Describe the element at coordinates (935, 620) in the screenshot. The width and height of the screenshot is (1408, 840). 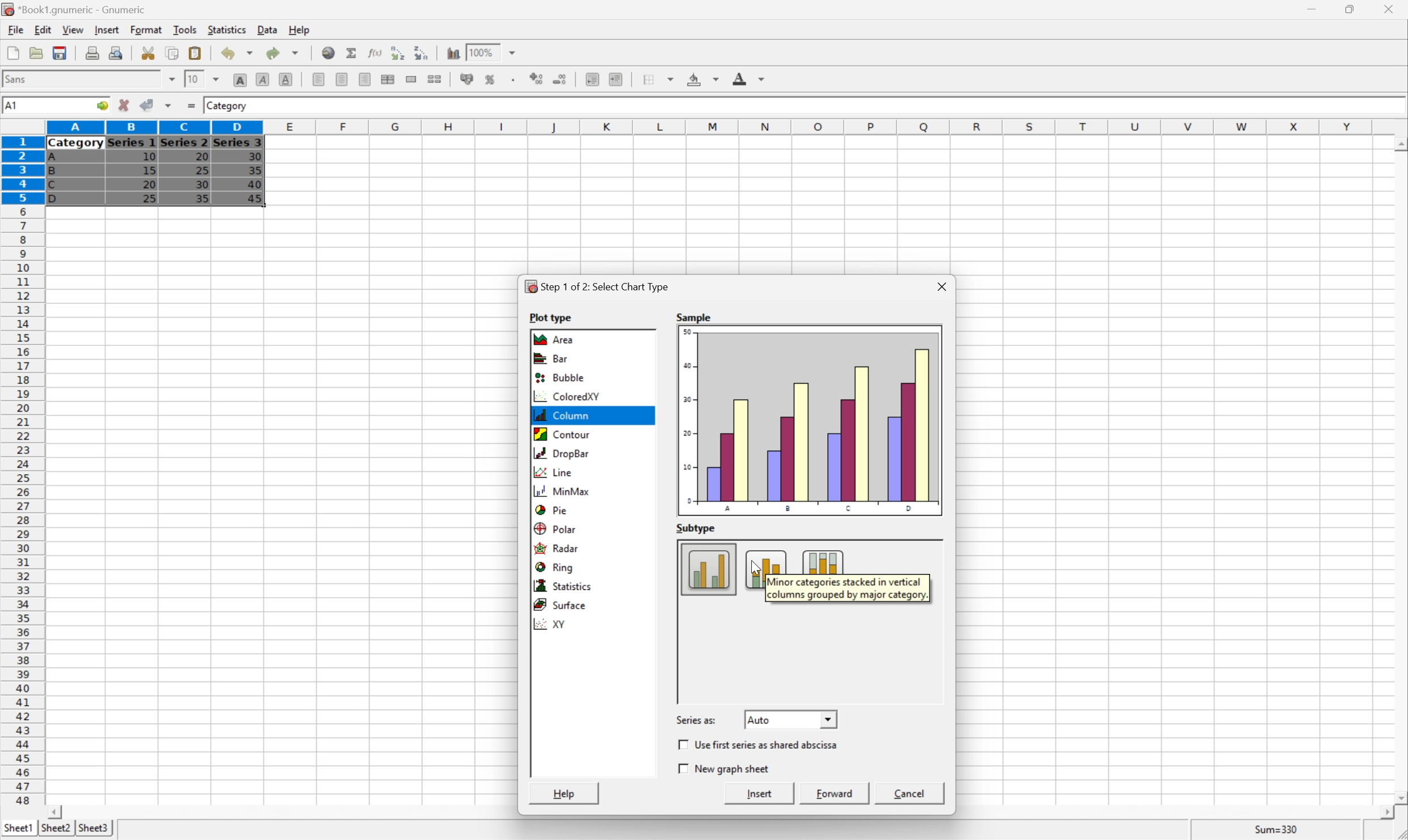
I see `Scroll Bar` at that location.